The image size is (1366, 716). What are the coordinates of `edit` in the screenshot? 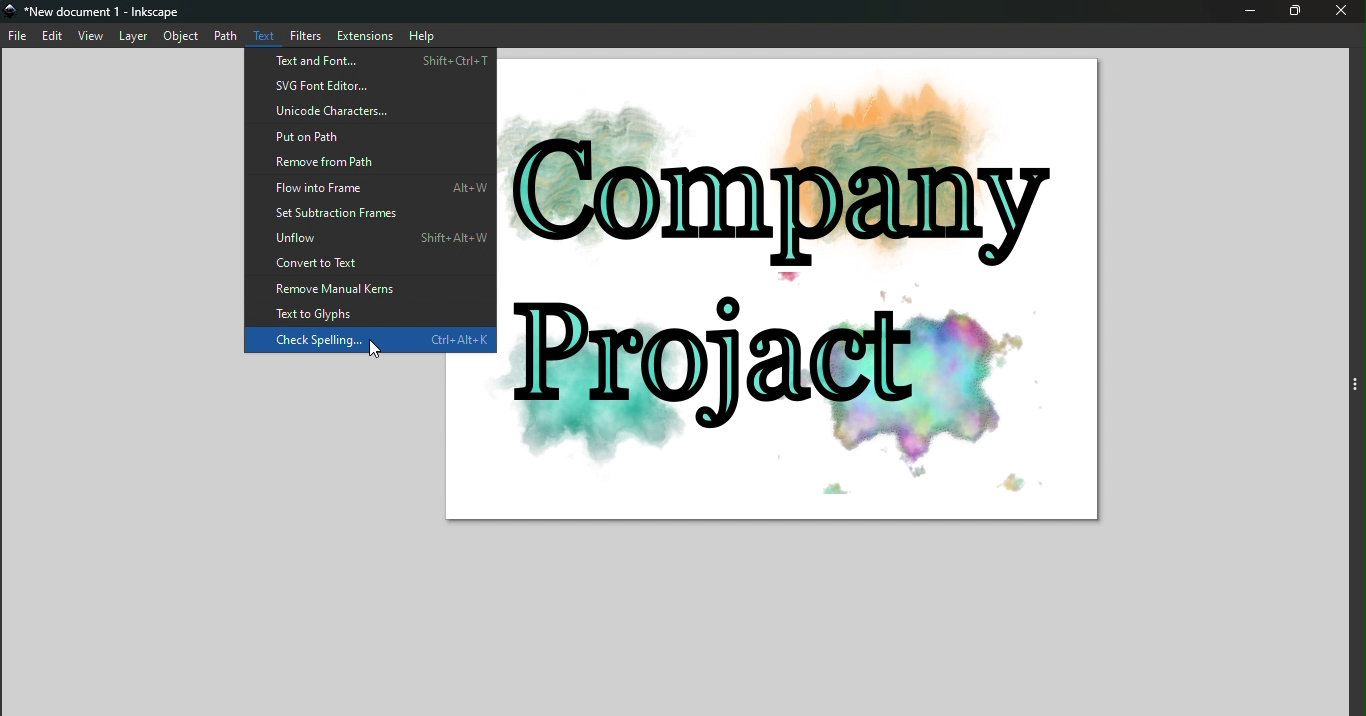 It's located at (56, 38).